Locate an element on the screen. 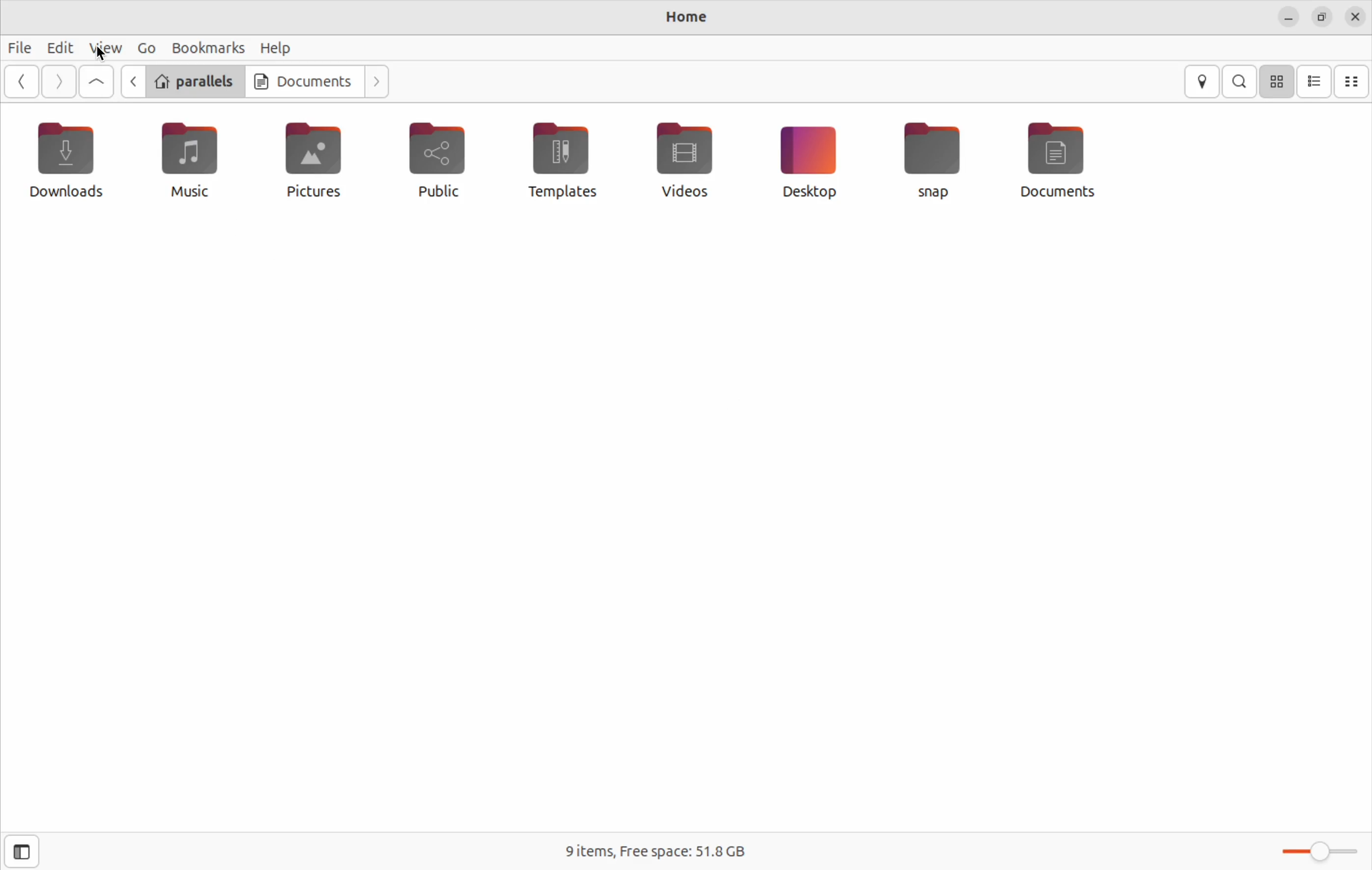 The height and width of the screenshot is (870, 1372). go back is located at coordinates (132, 81).